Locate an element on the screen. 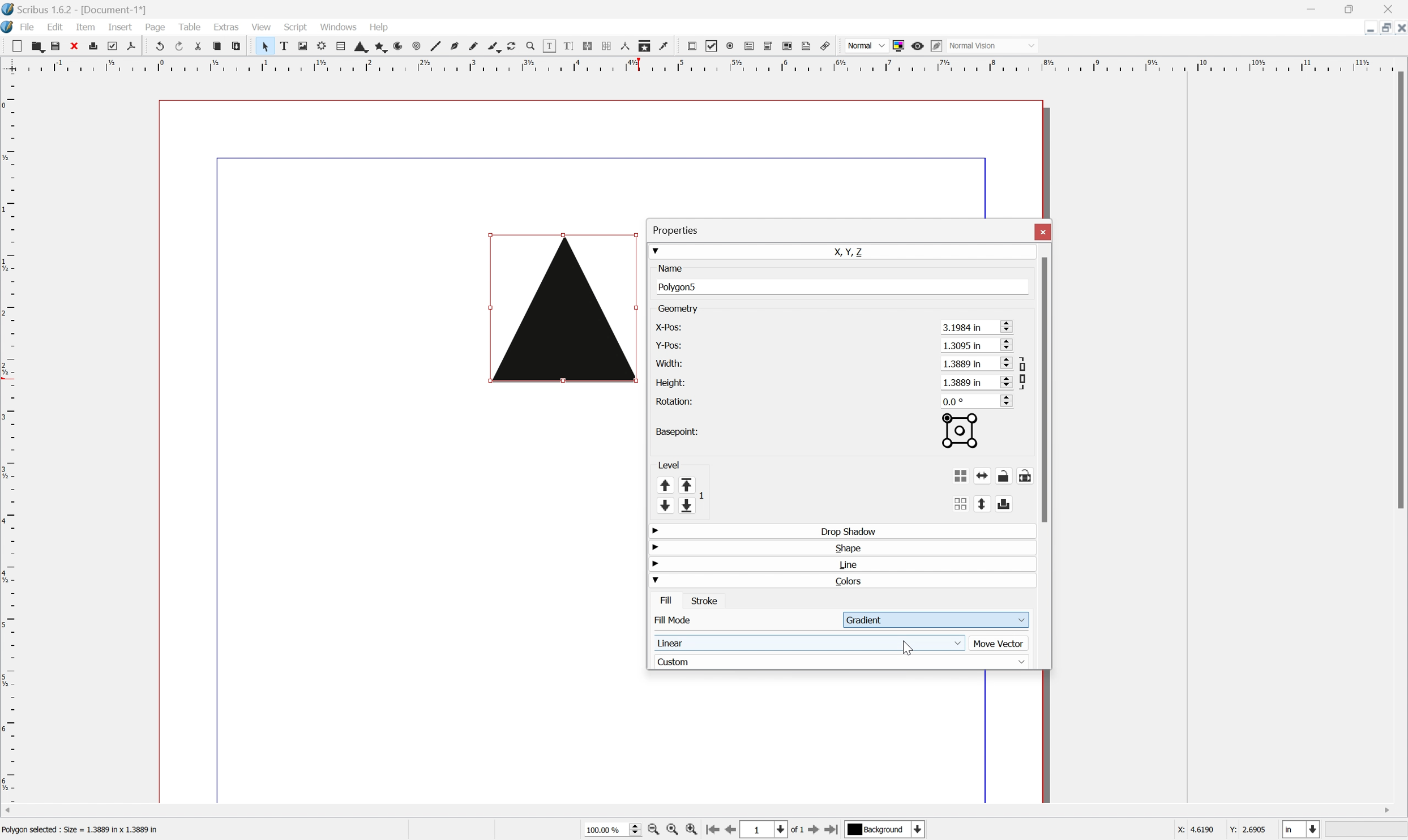 The image size is (1408, 840). Height: is located at coordinates (671, 383).